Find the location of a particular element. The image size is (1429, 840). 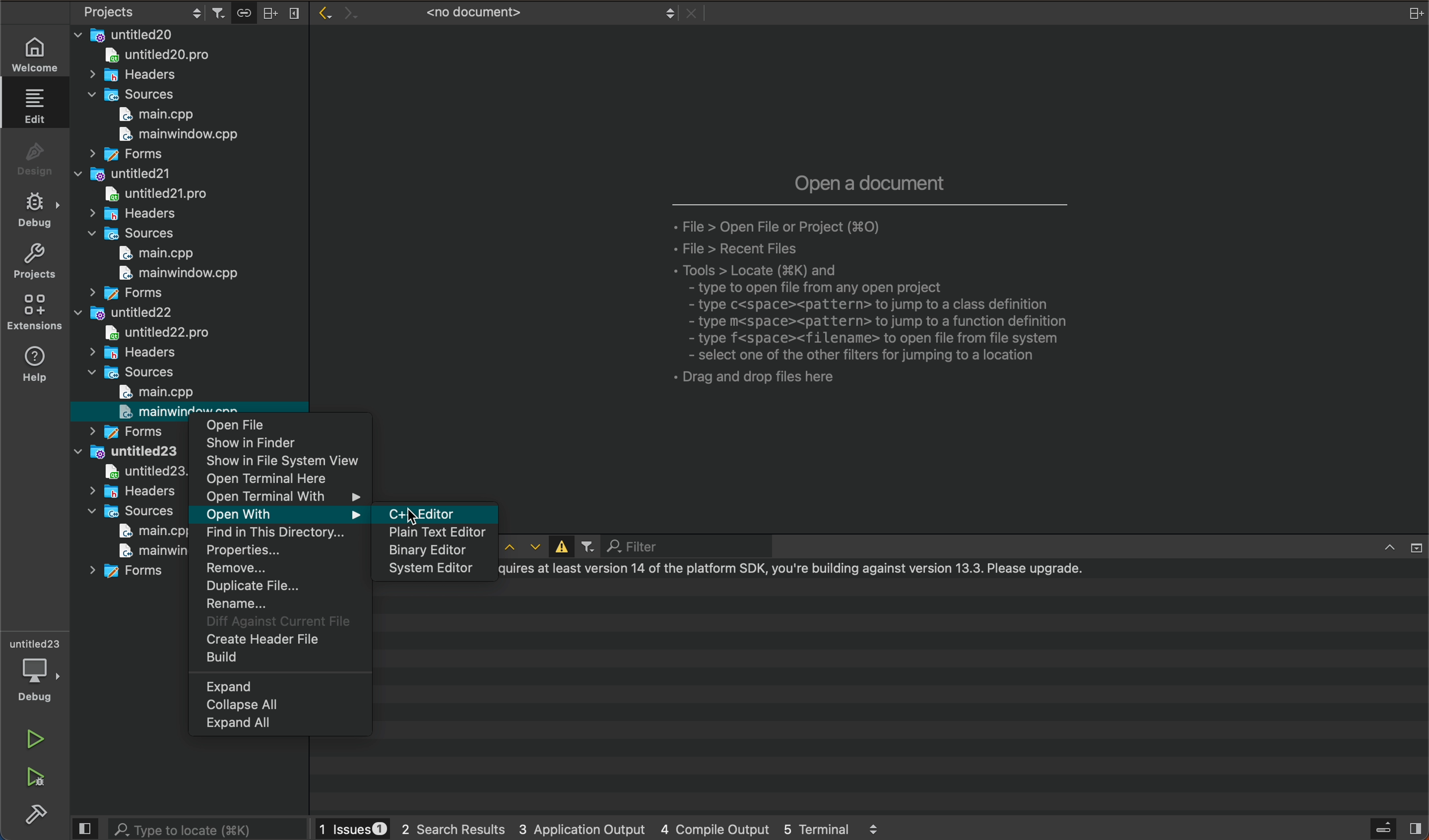

build  is located at coordinates (33, 813).